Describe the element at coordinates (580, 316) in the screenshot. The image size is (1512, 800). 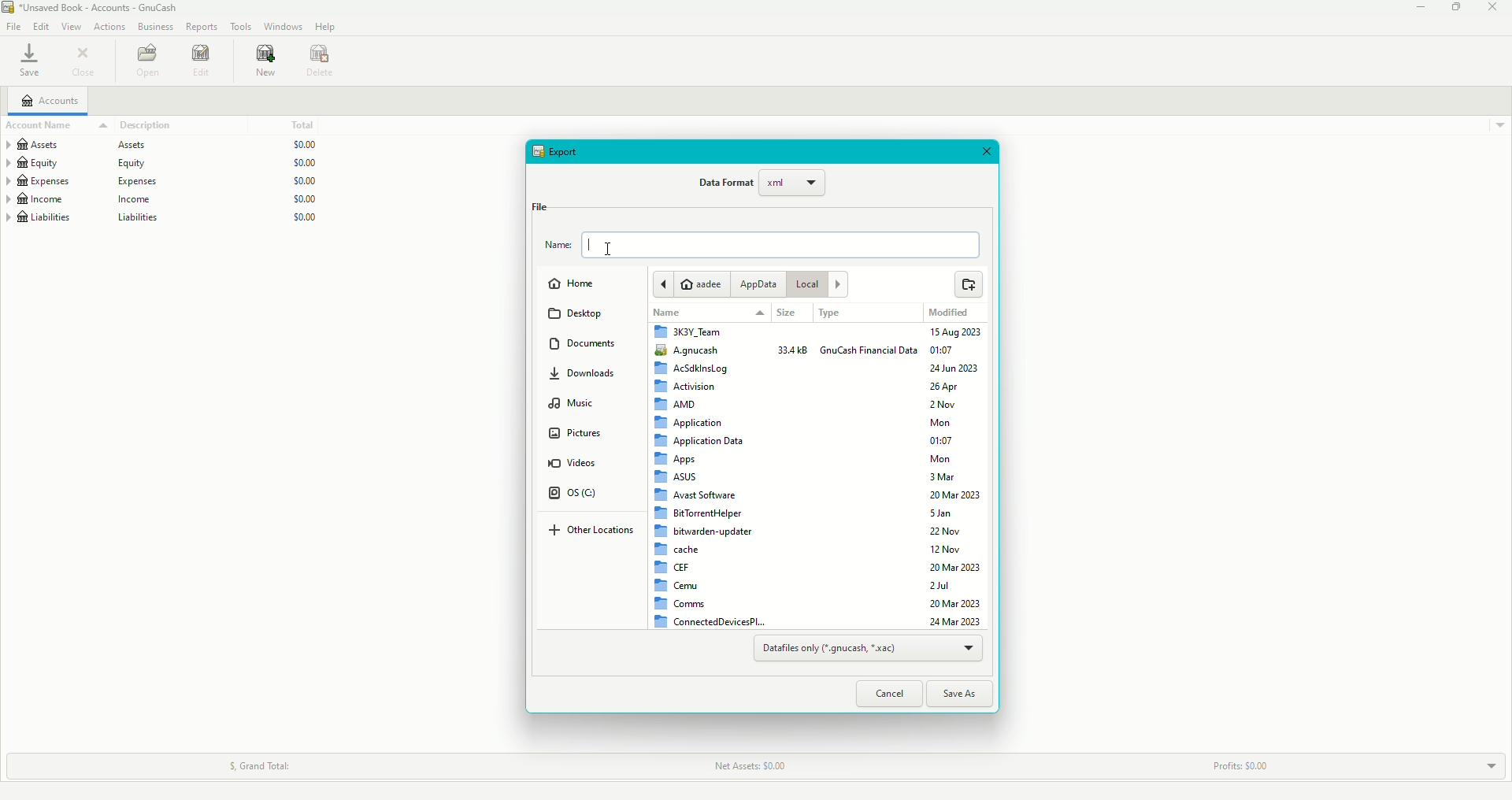
I see `Desktop` at that location.